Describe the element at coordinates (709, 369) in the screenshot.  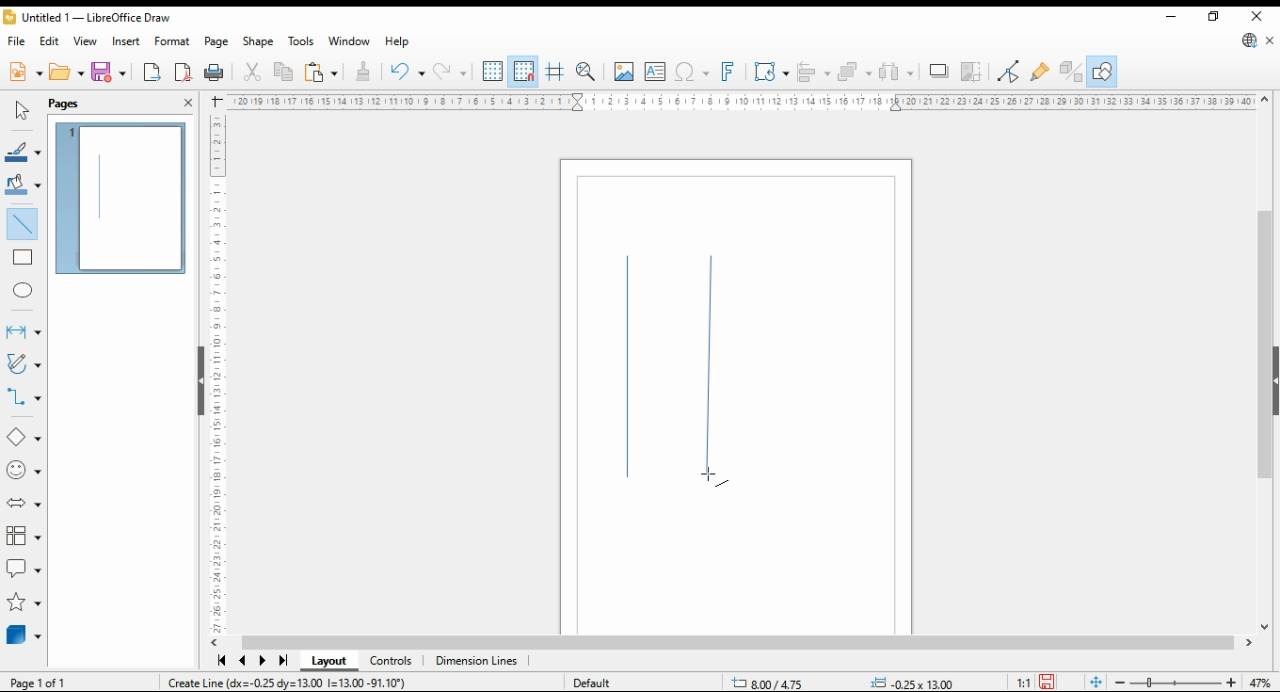
I see `new shape - line` at that location.